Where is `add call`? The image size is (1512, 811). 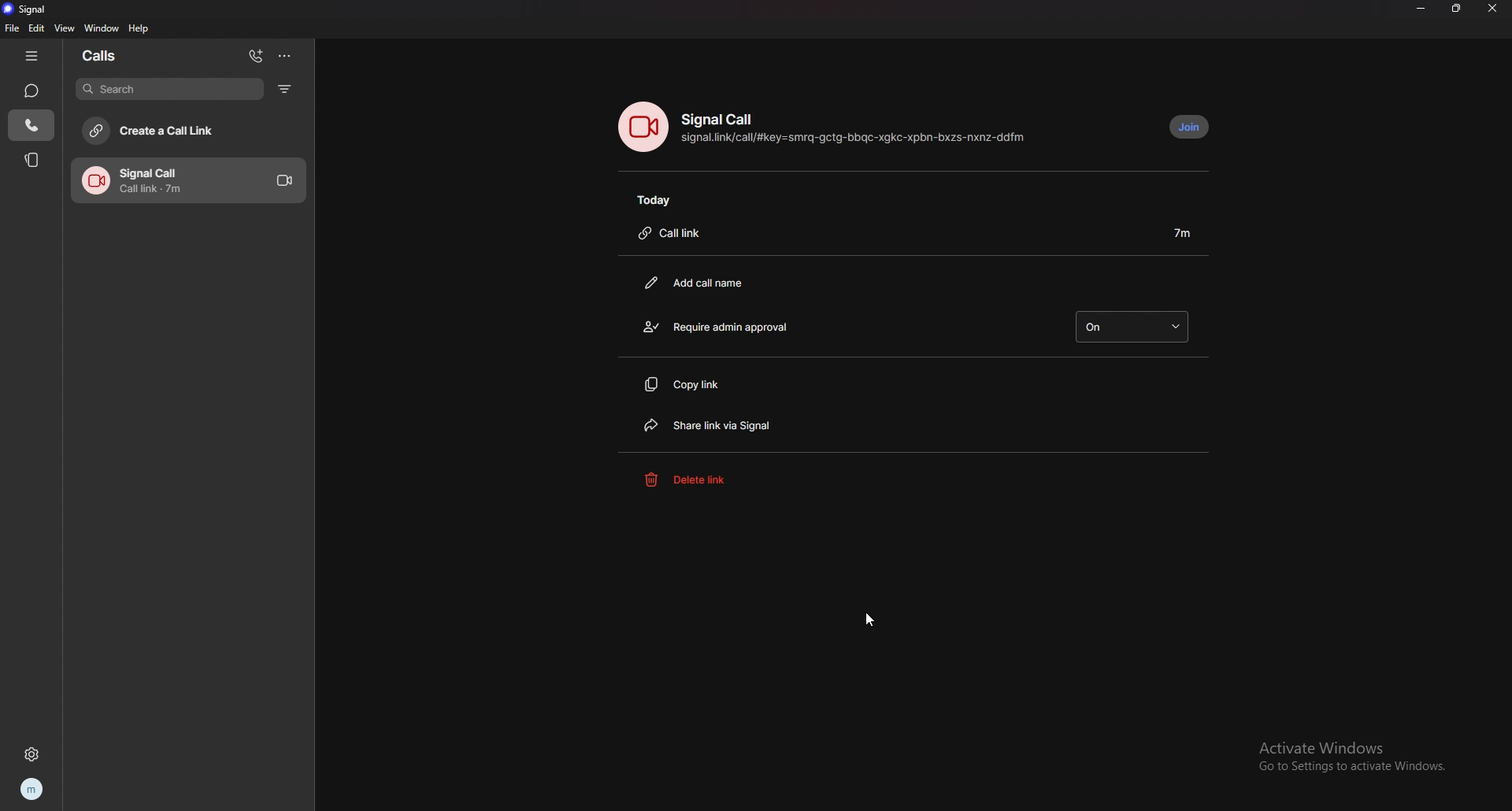
add call is located at coordinates (255, 55).